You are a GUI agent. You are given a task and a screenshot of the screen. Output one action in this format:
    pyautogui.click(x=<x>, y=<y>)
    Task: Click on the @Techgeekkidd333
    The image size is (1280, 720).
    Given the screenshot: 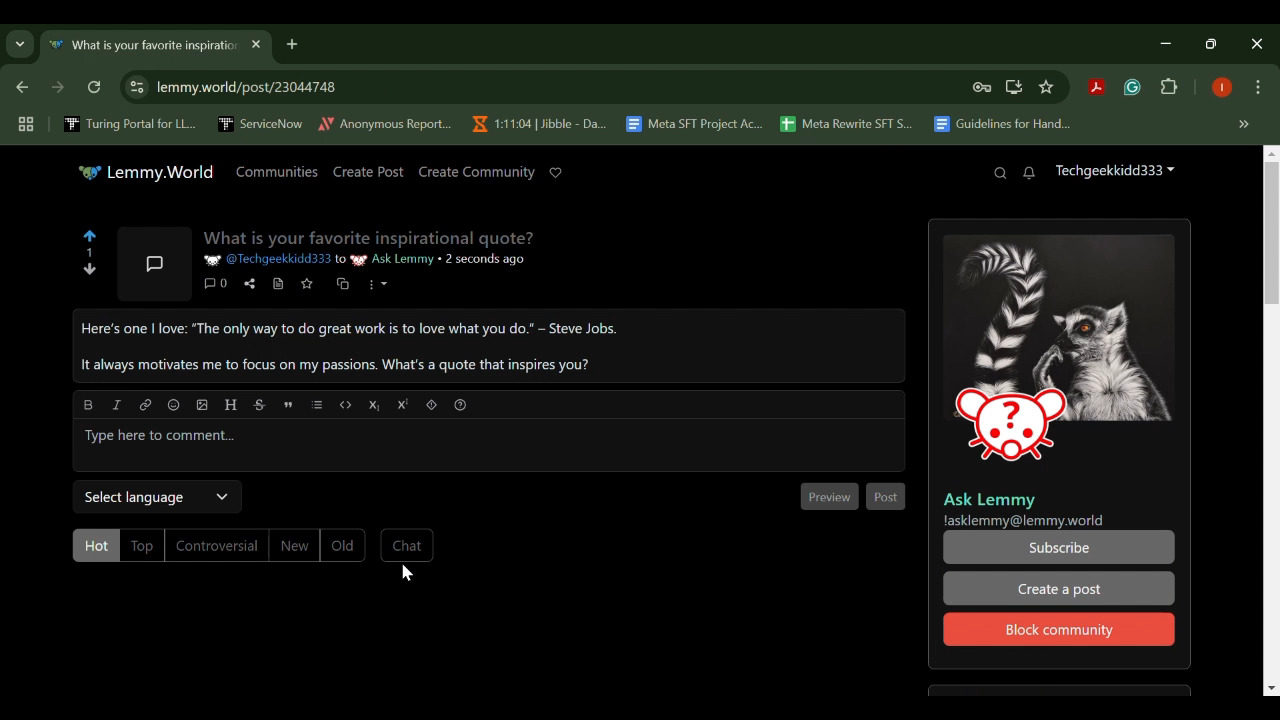 What is the action you would take?
    pyautogui.click(x=266, y=259)
    